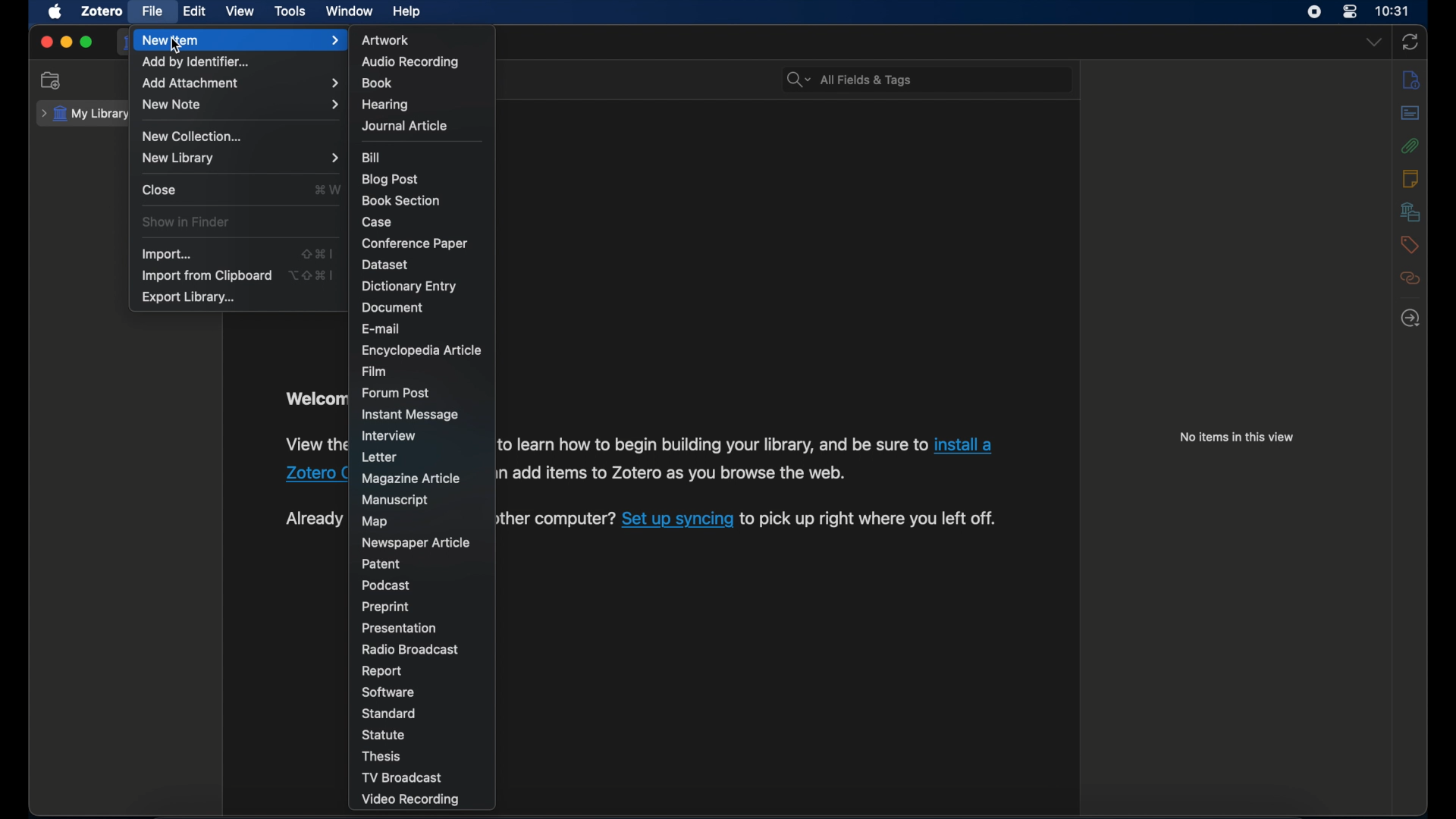 Image resolution: width=1456 pixels, height=819 pixels. I want to click on dropdown, so click(1373, 42).